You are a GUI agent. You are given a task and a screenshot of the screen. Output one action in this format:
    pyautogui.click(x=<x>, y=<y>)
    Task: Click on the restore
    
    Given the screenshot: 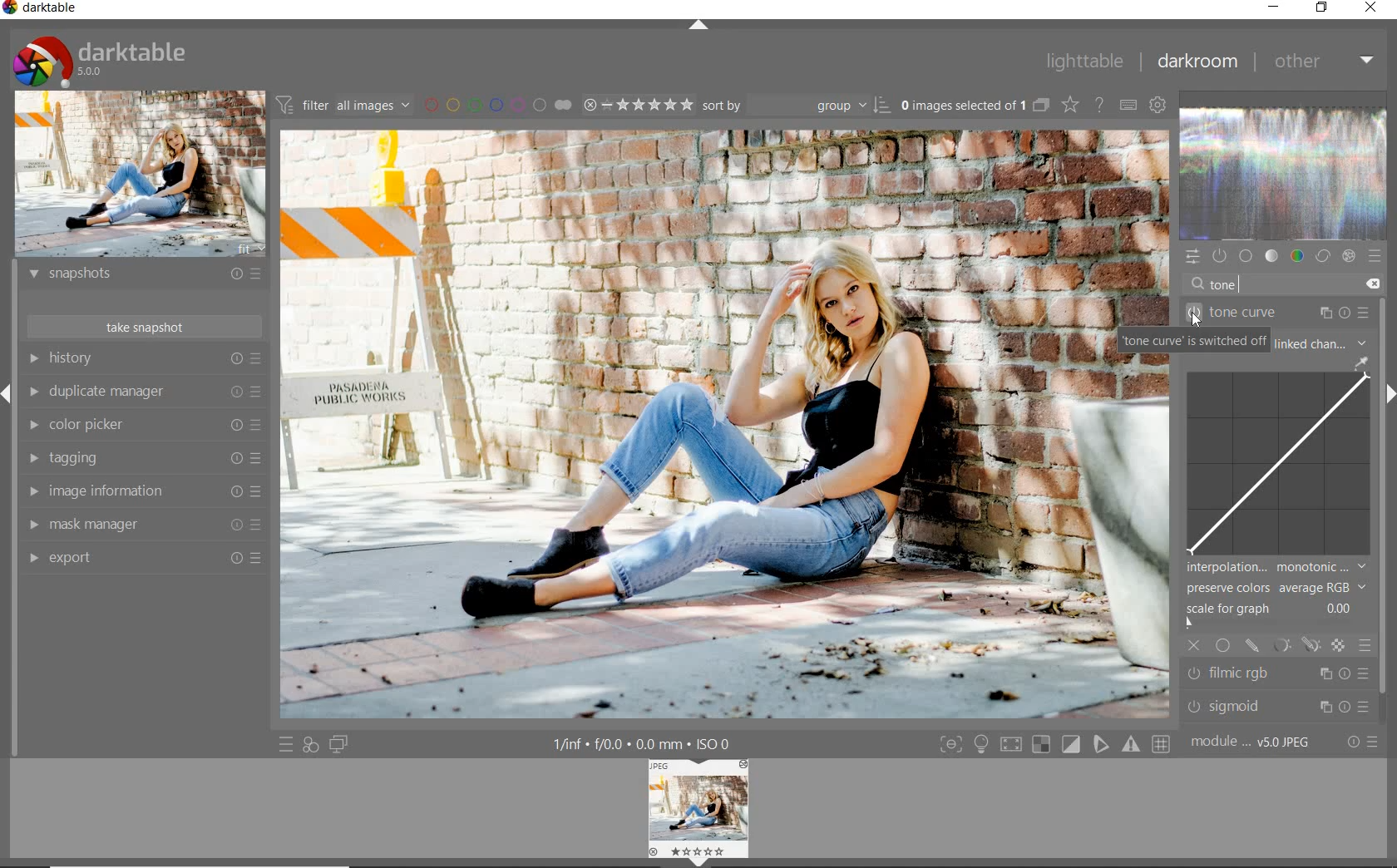 What is the action you would take?
    pyautogui.click(x=1322, y=8)
    